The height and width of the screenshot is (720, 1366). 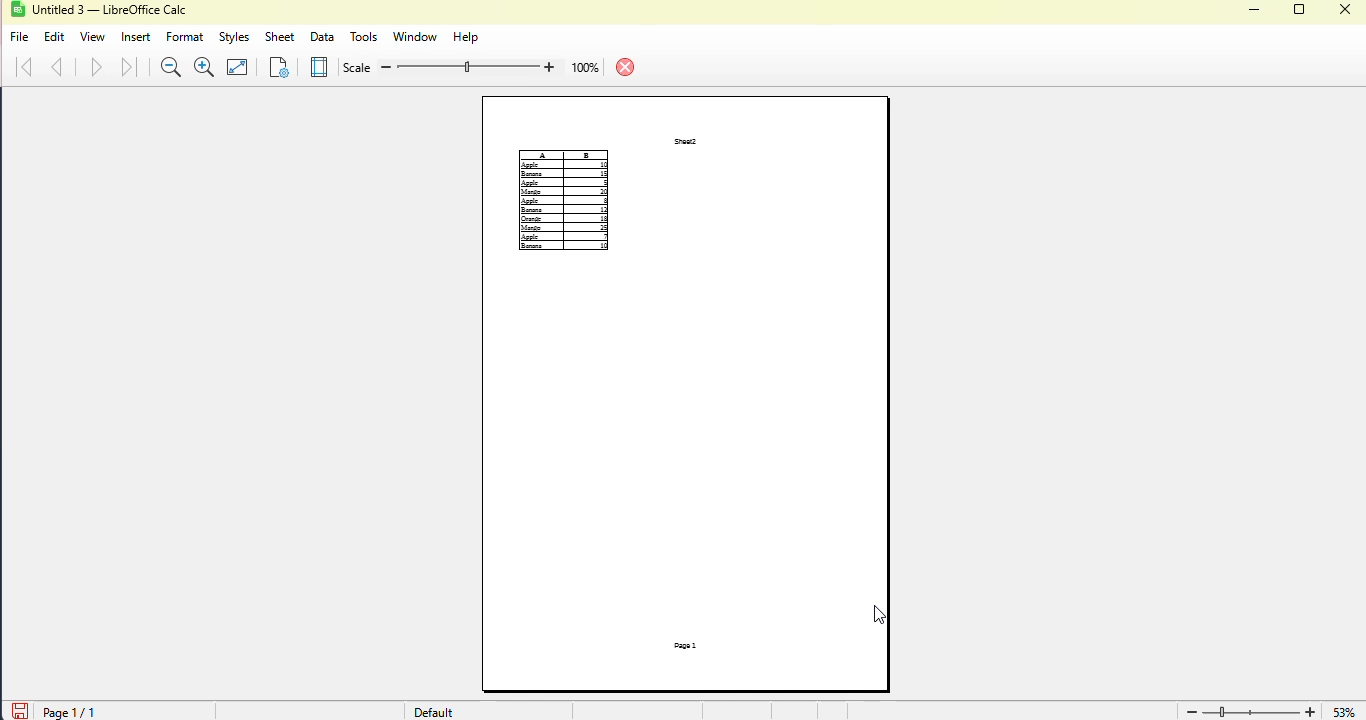 What do you see at coordinates (320, 67) in the screenshot?
I see `margins` at bounding box center [320, 67].